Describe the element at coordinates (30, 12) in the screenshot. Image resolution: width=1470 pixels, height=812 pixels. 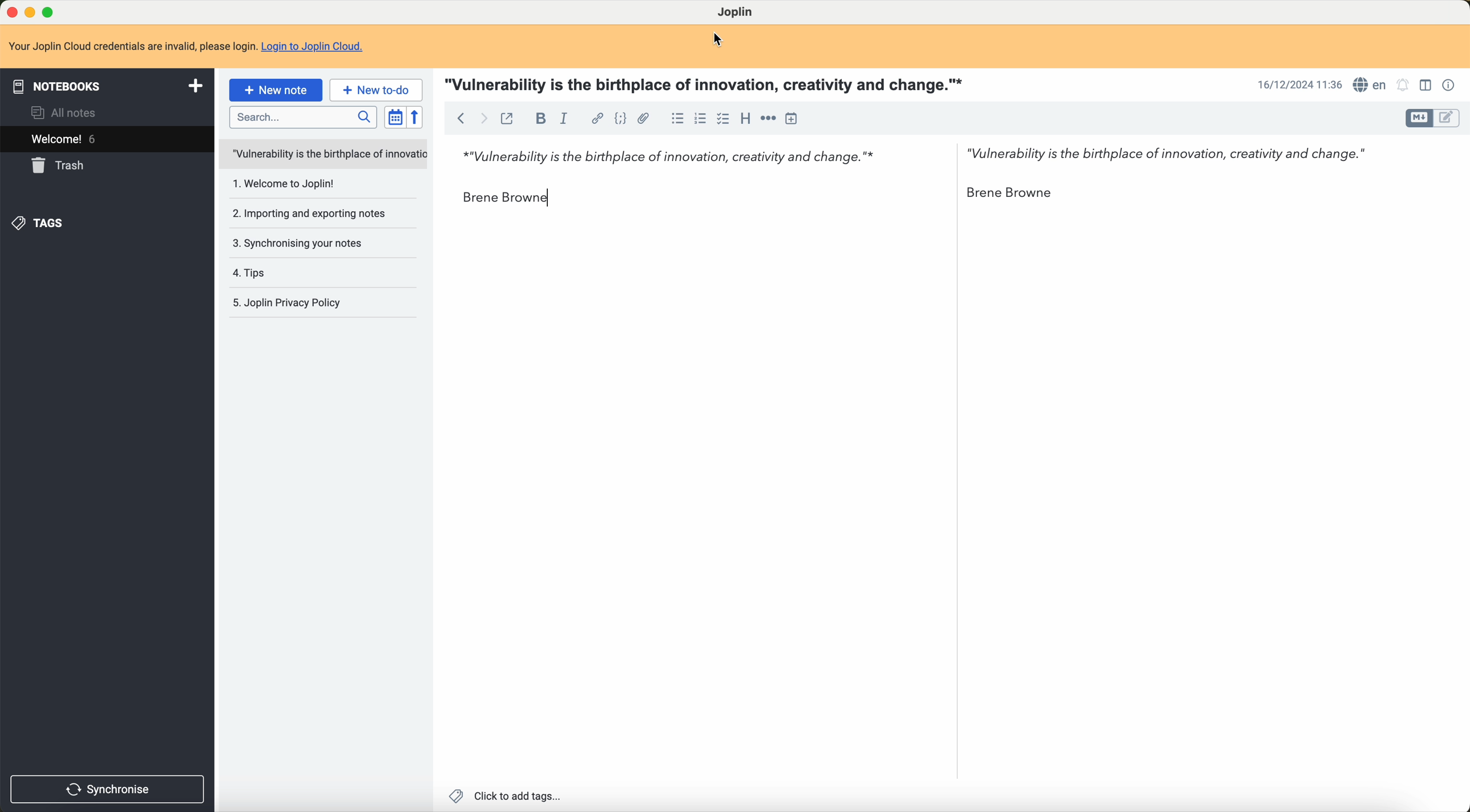
I see `minimize` at that location.